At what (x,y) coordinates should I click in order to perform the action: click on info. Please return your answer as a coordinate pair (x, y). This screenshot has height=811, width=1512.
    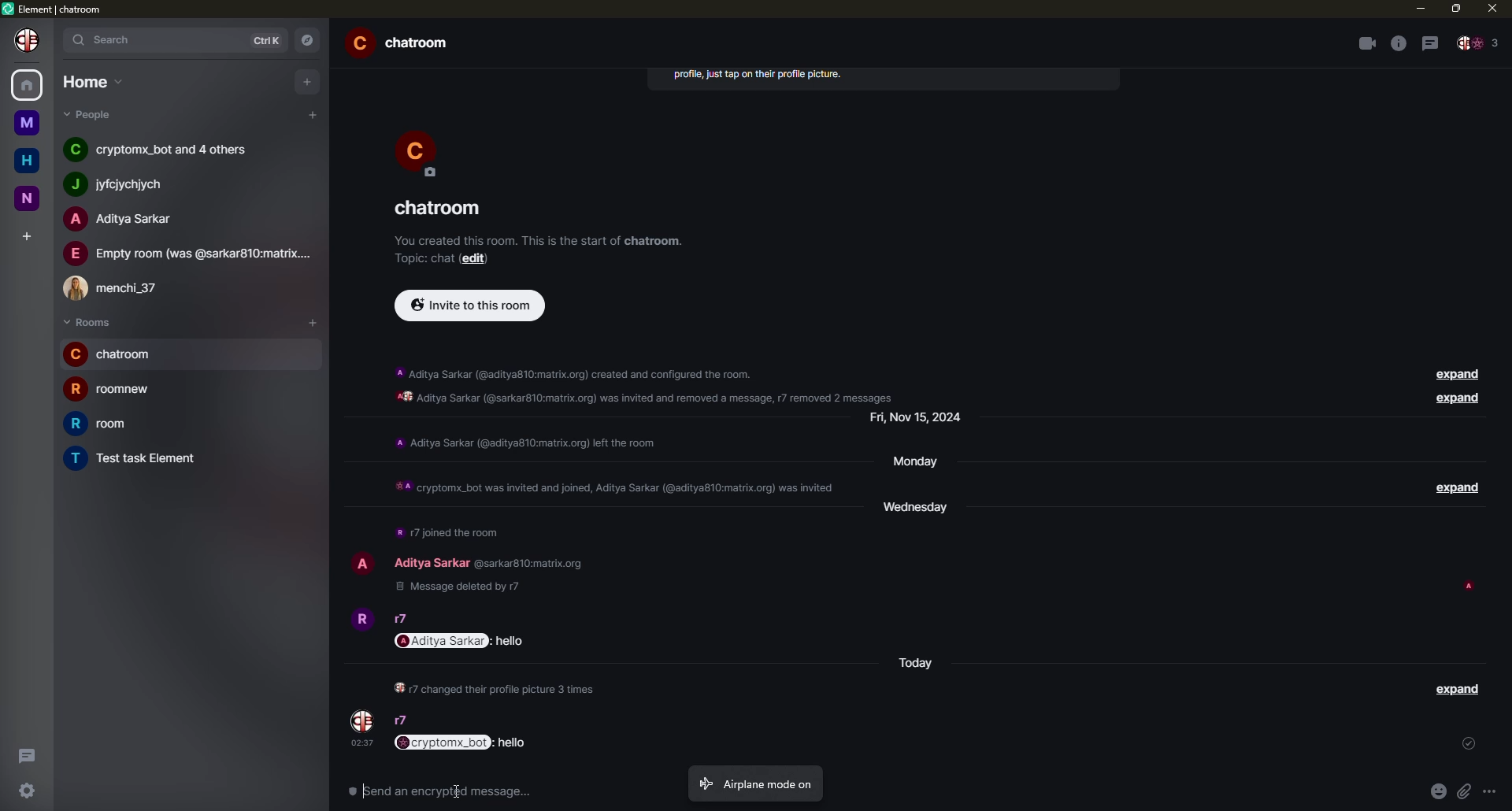
    Looking at the image, I should click on (524, 442).